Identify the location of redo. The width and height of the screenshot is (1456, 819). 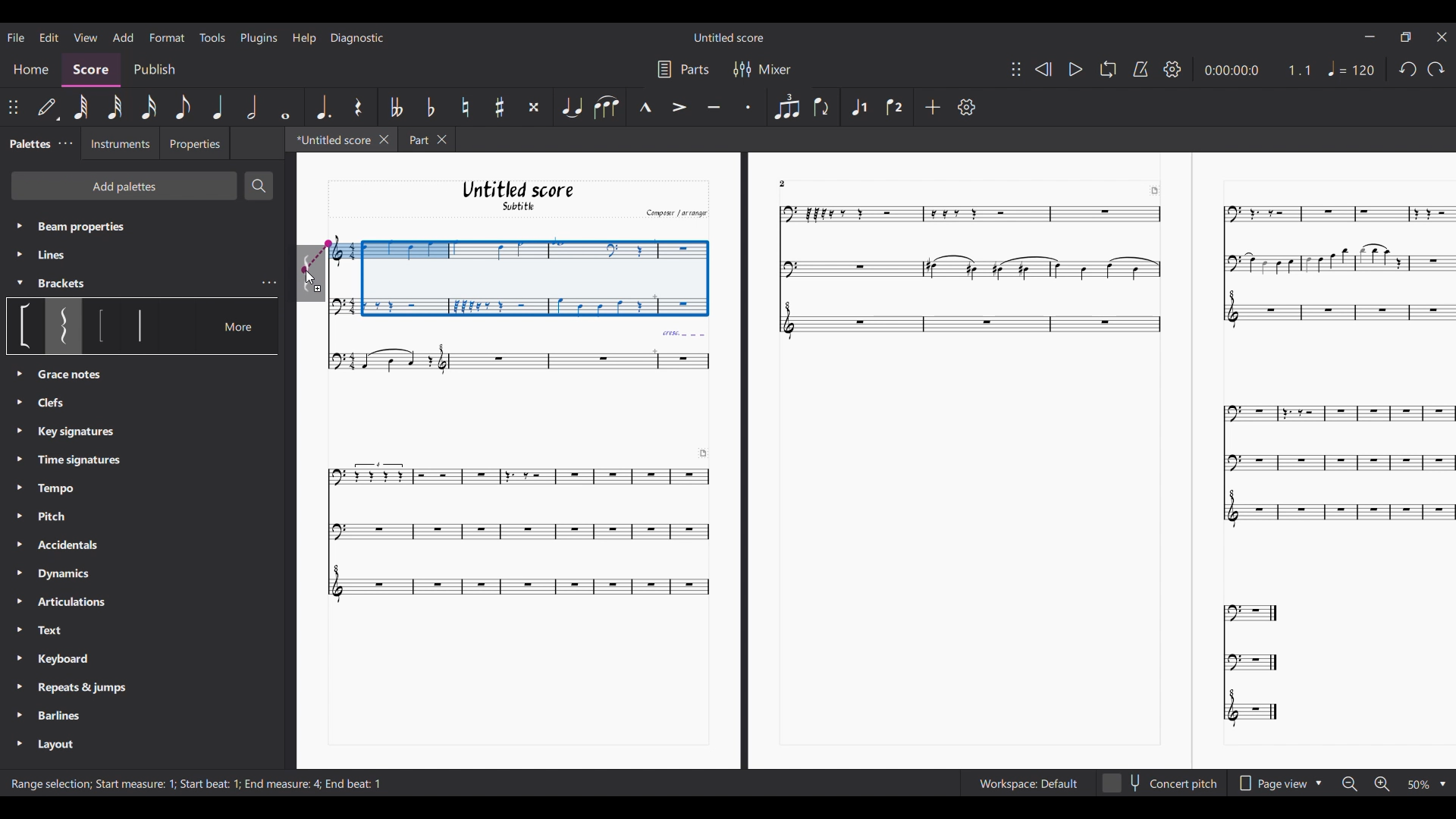
(1406, 73).